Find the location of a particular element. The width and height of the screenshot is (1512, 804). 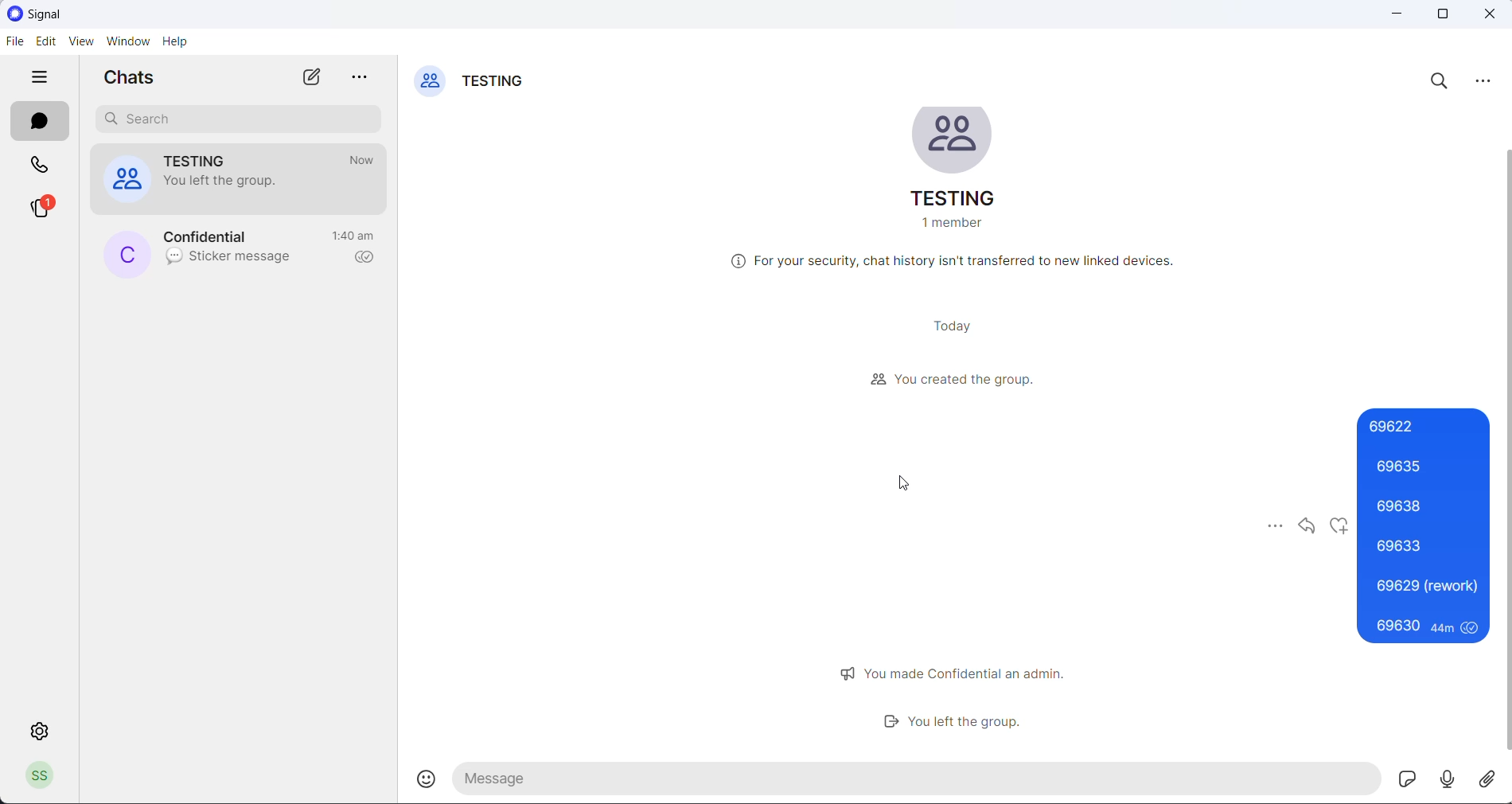

more options is located at coordinates (364, 80).